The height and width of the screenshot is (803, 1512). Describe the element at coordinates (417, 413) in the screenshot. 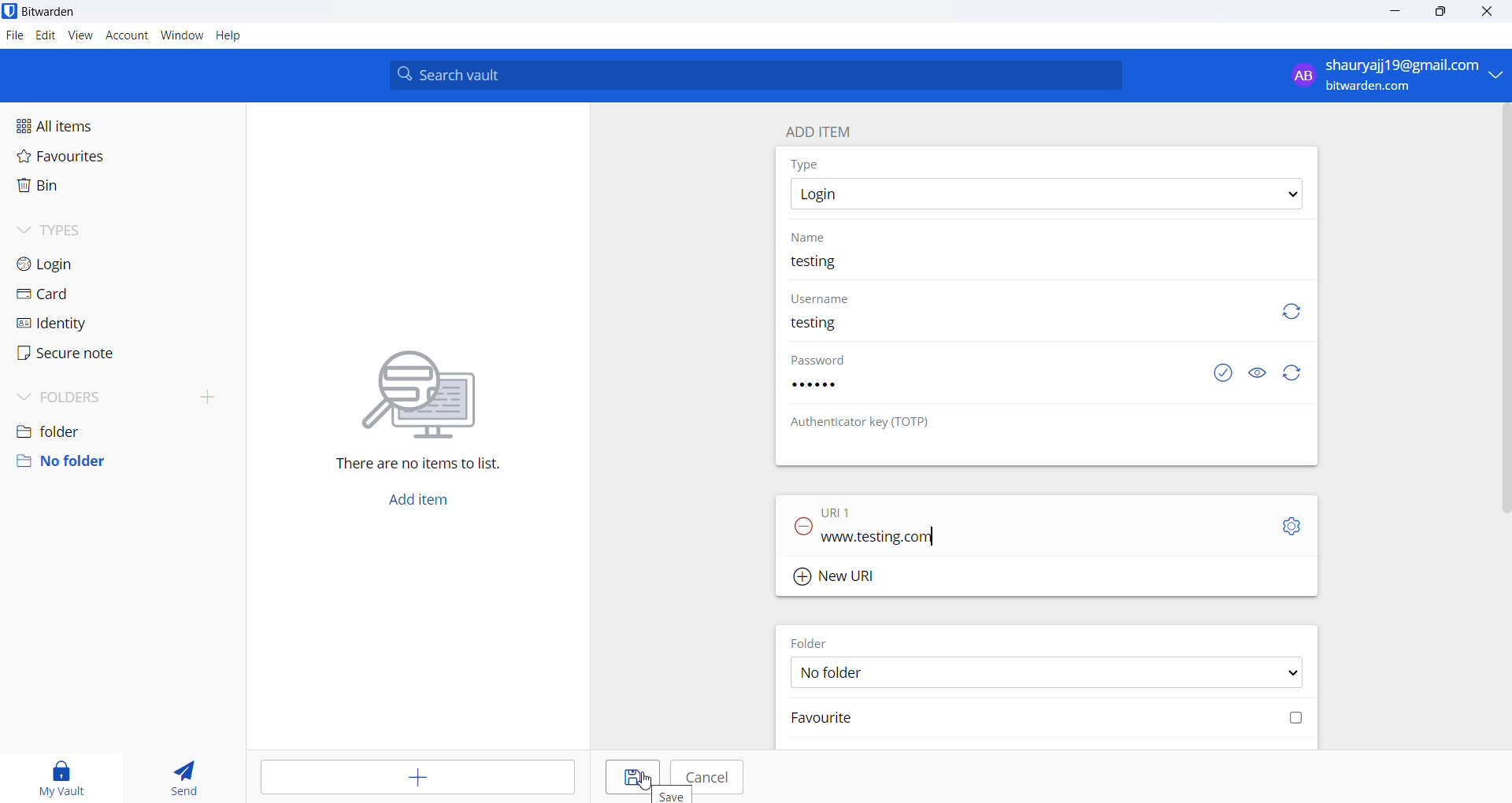

I see `There are no items to list.` at that location.